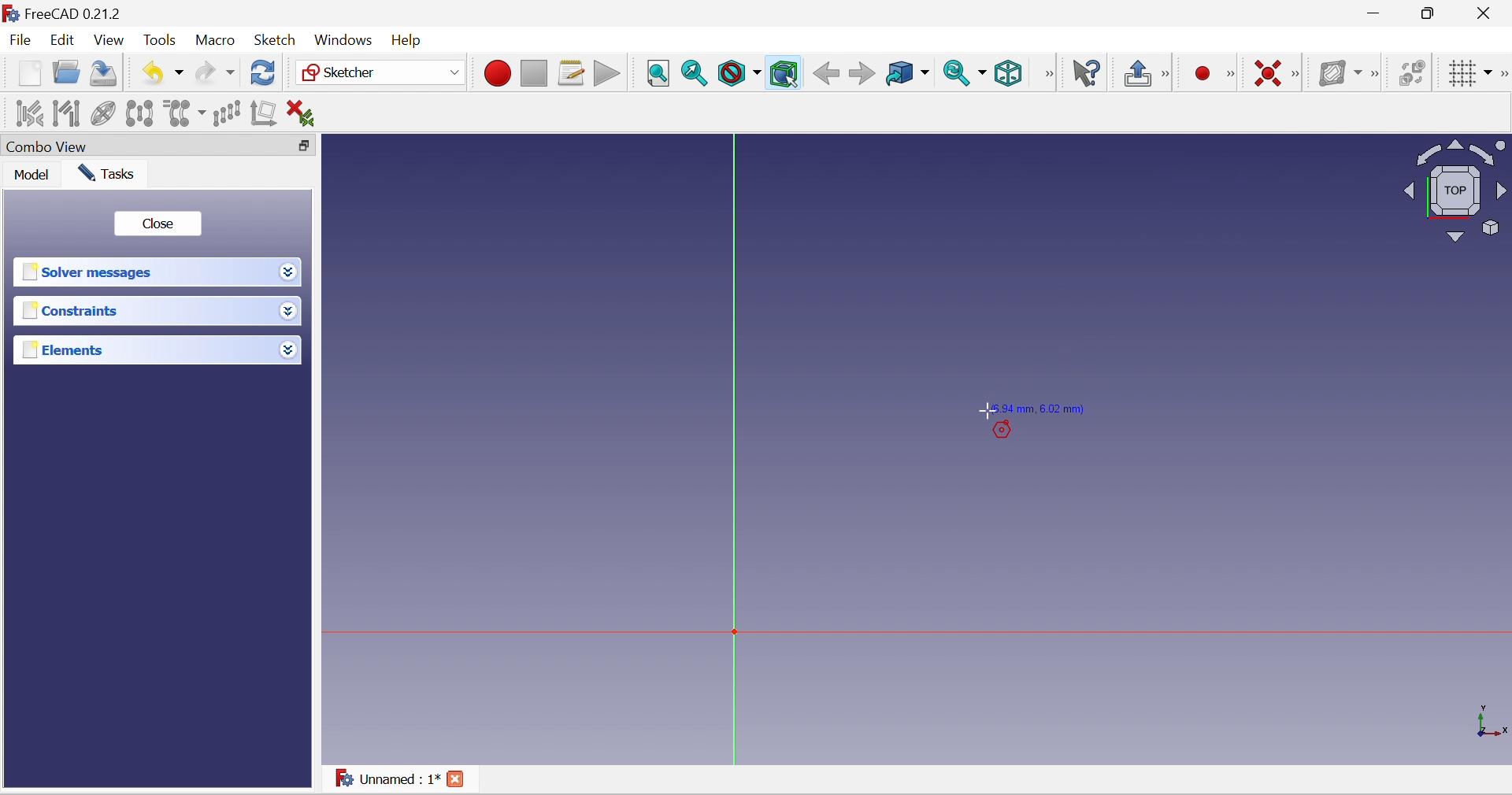 The height and width of the screenshot is (795, 1512). Describe the element at coordinates (1503, 75) in the screenshot. I see `[Sketcher edit tools]` at that location.